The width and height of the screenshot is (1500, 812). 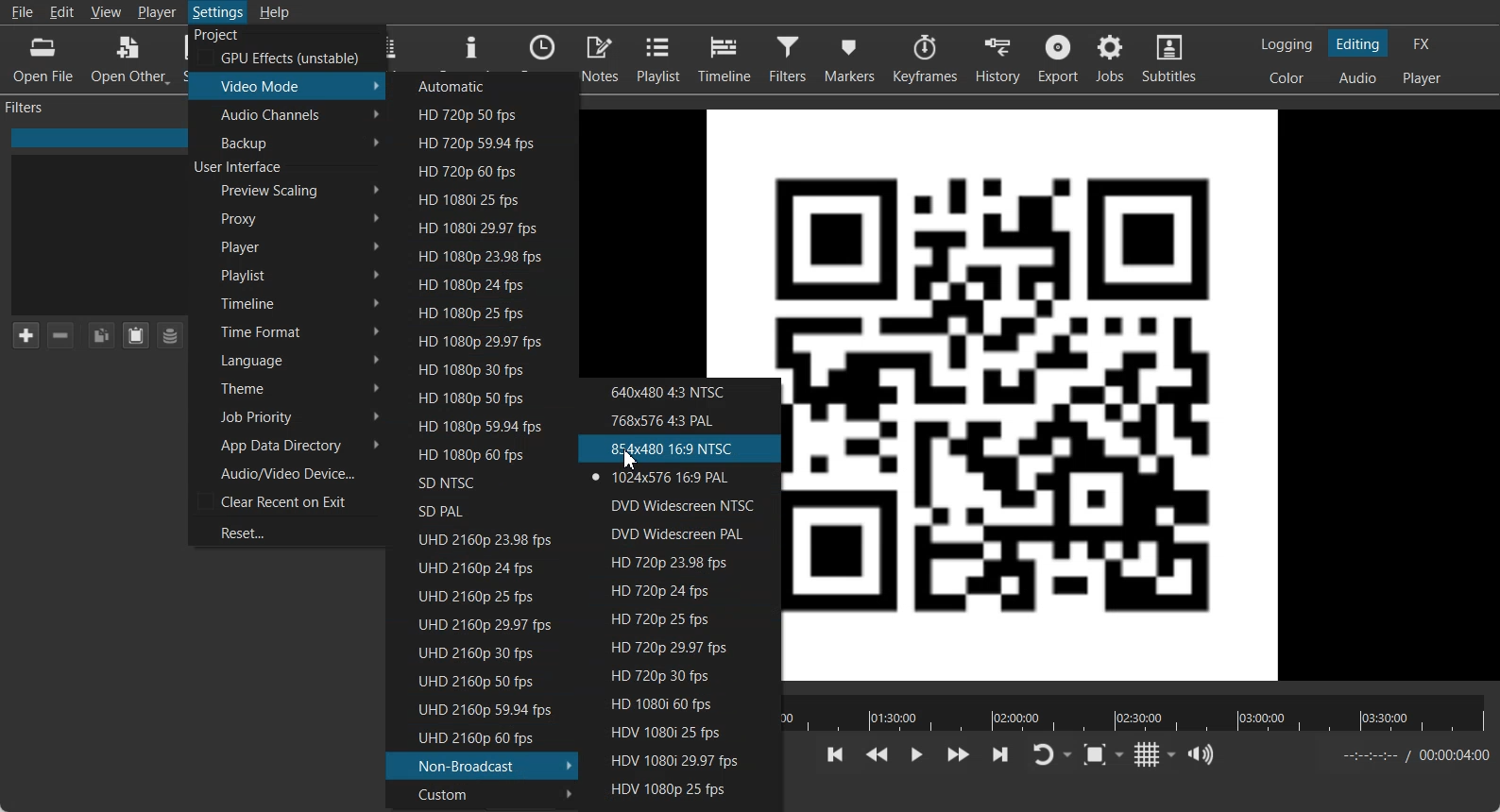 I want to click on 854x480 16:9 NTSC, so click(x=680, y=448).